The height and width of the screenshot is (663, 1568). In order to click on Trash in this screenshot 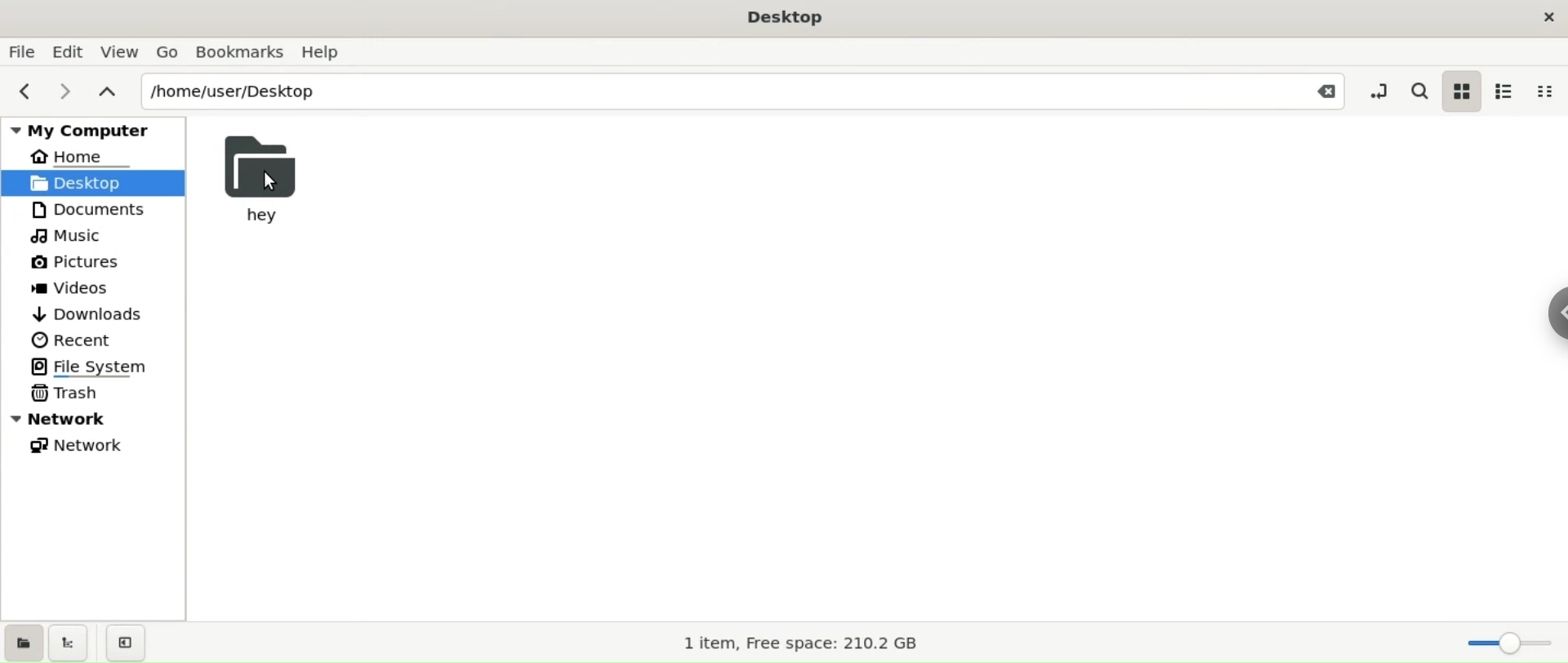, I will do `click(67, 394)`.